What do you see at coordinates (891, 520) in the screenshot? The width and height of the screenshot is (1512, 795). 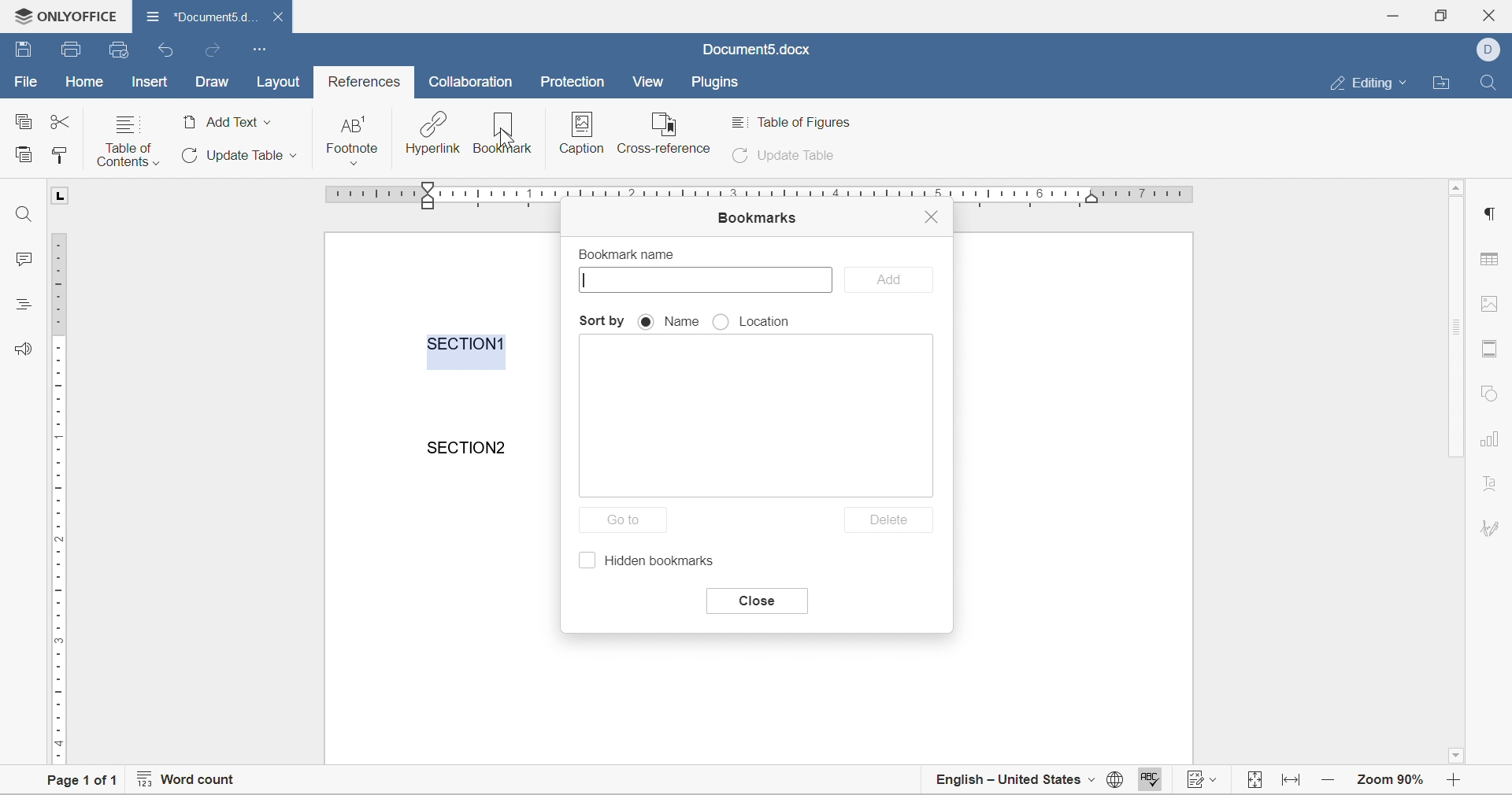 I see `delete` at bounding box center [891, 520].